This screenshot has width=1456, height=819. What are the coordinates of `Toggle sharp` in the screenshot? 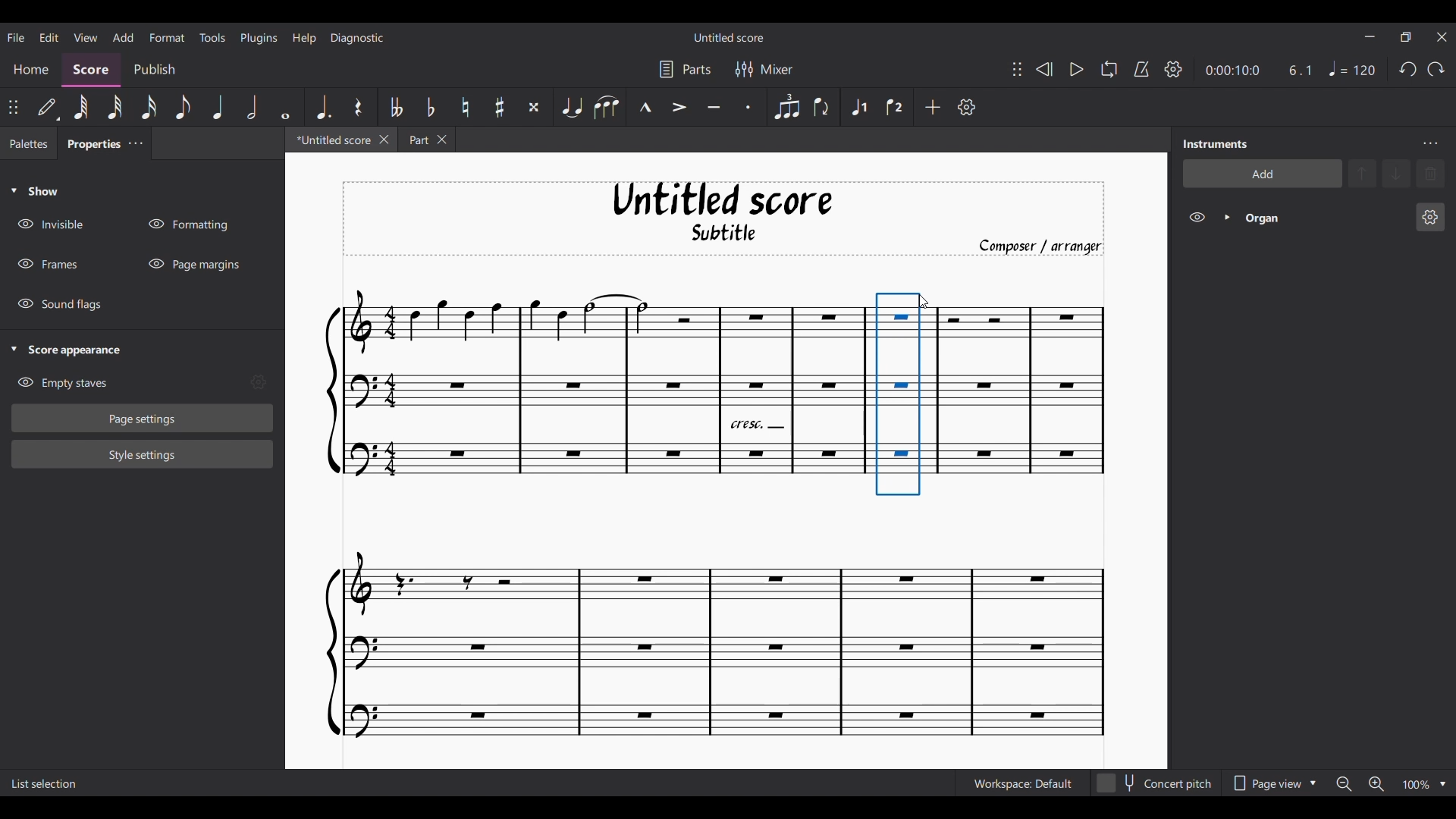 It's located at (499, 108).